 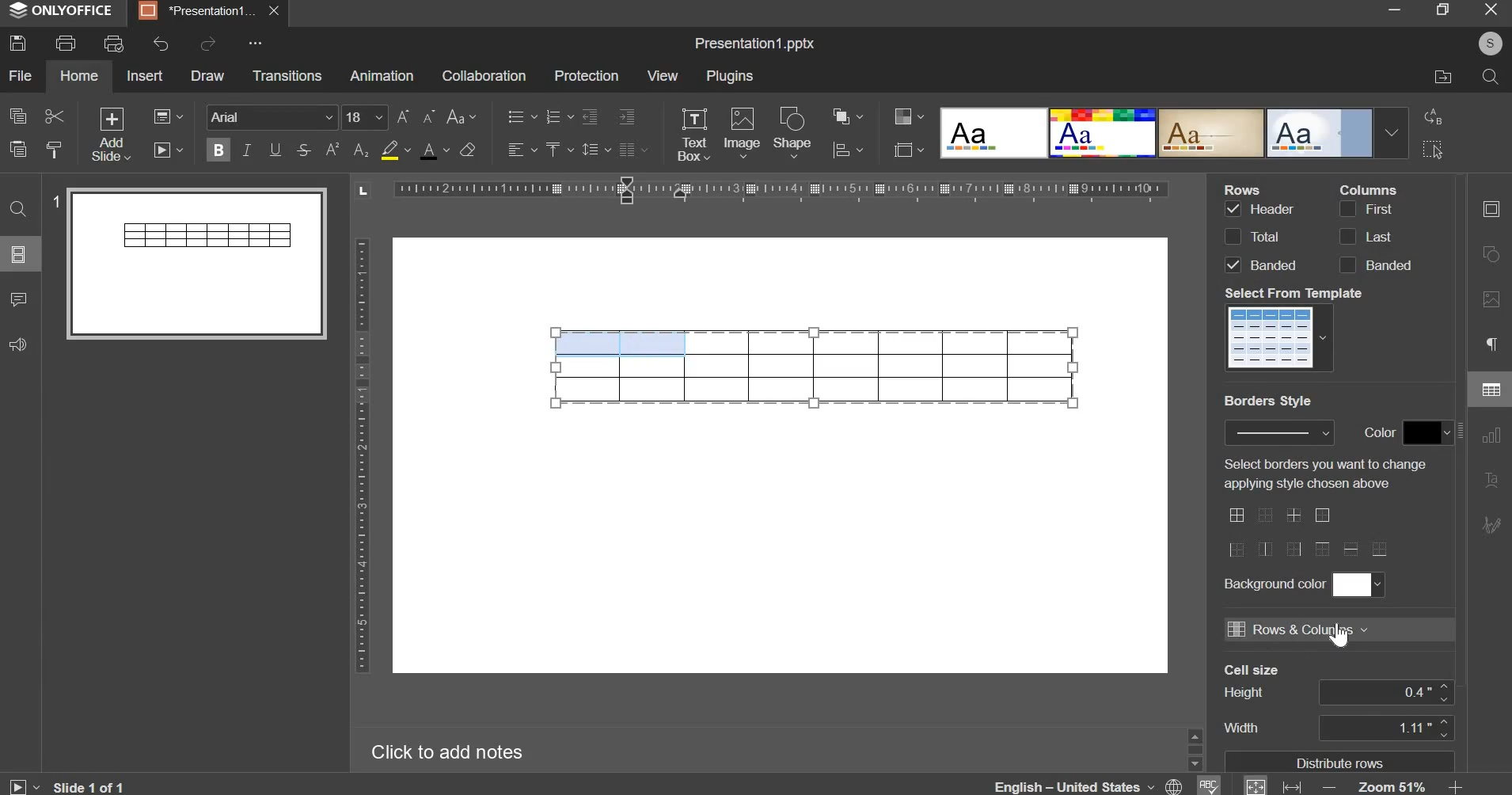 What do you see at coordinates (1246, 188) in the screenshot?
I see `Rows` at bounding box center [1246, 188].